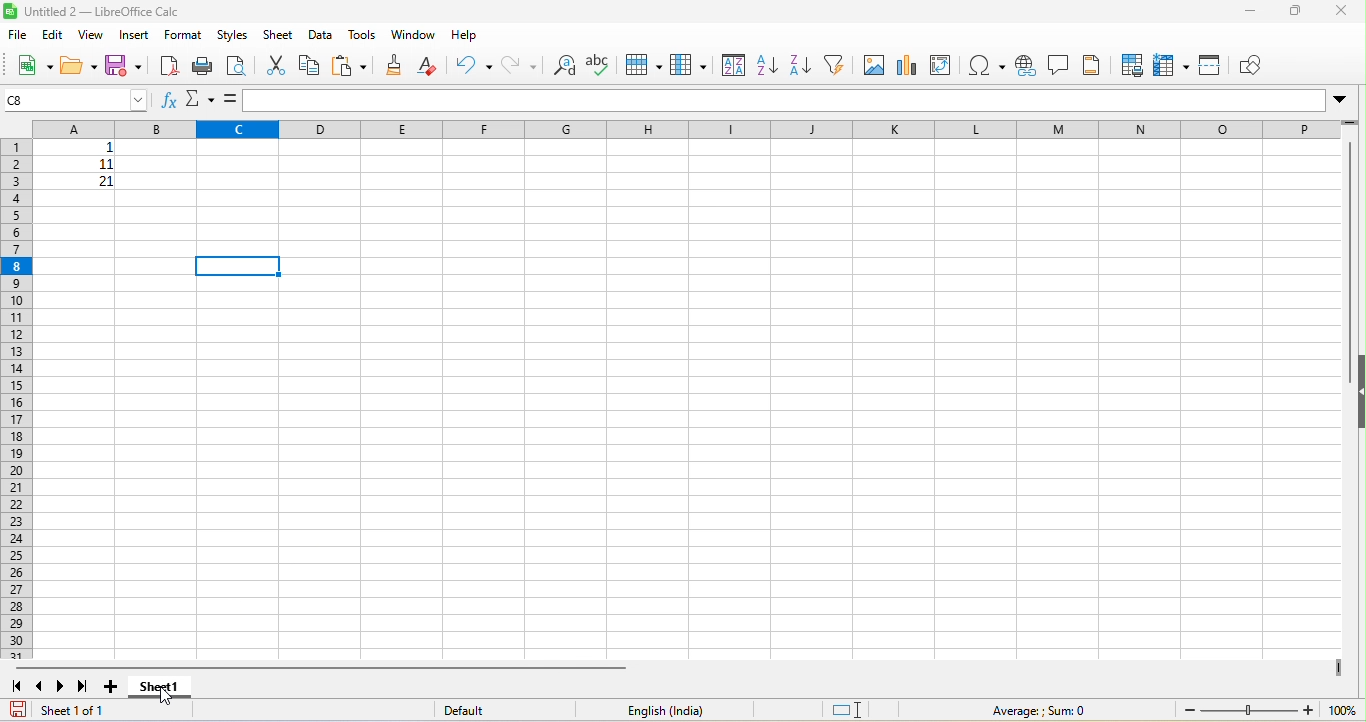 The height and width of the screenshot is (722, 1366). I want to click on previous, so click(40, 685).